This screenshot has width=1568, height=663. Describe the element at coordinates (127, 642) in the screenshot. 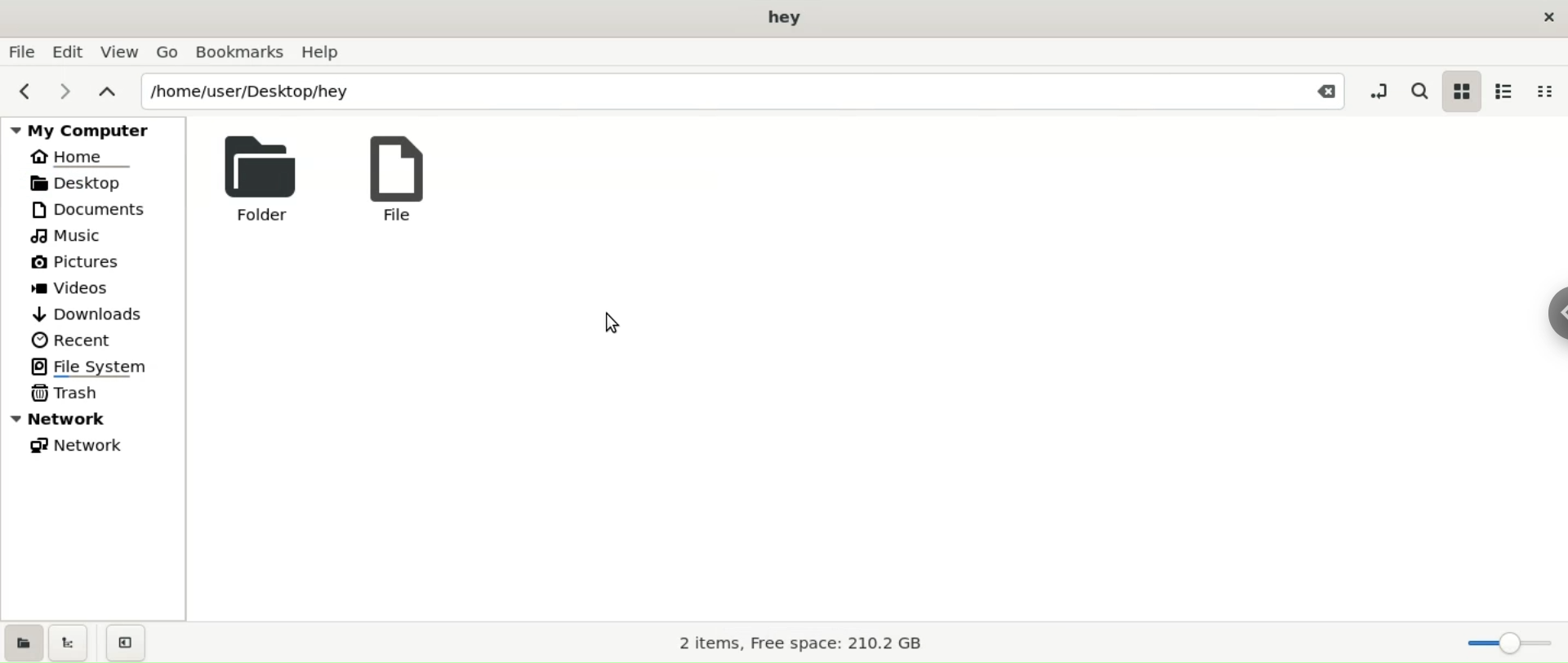

I see `close sidebar` at that location.